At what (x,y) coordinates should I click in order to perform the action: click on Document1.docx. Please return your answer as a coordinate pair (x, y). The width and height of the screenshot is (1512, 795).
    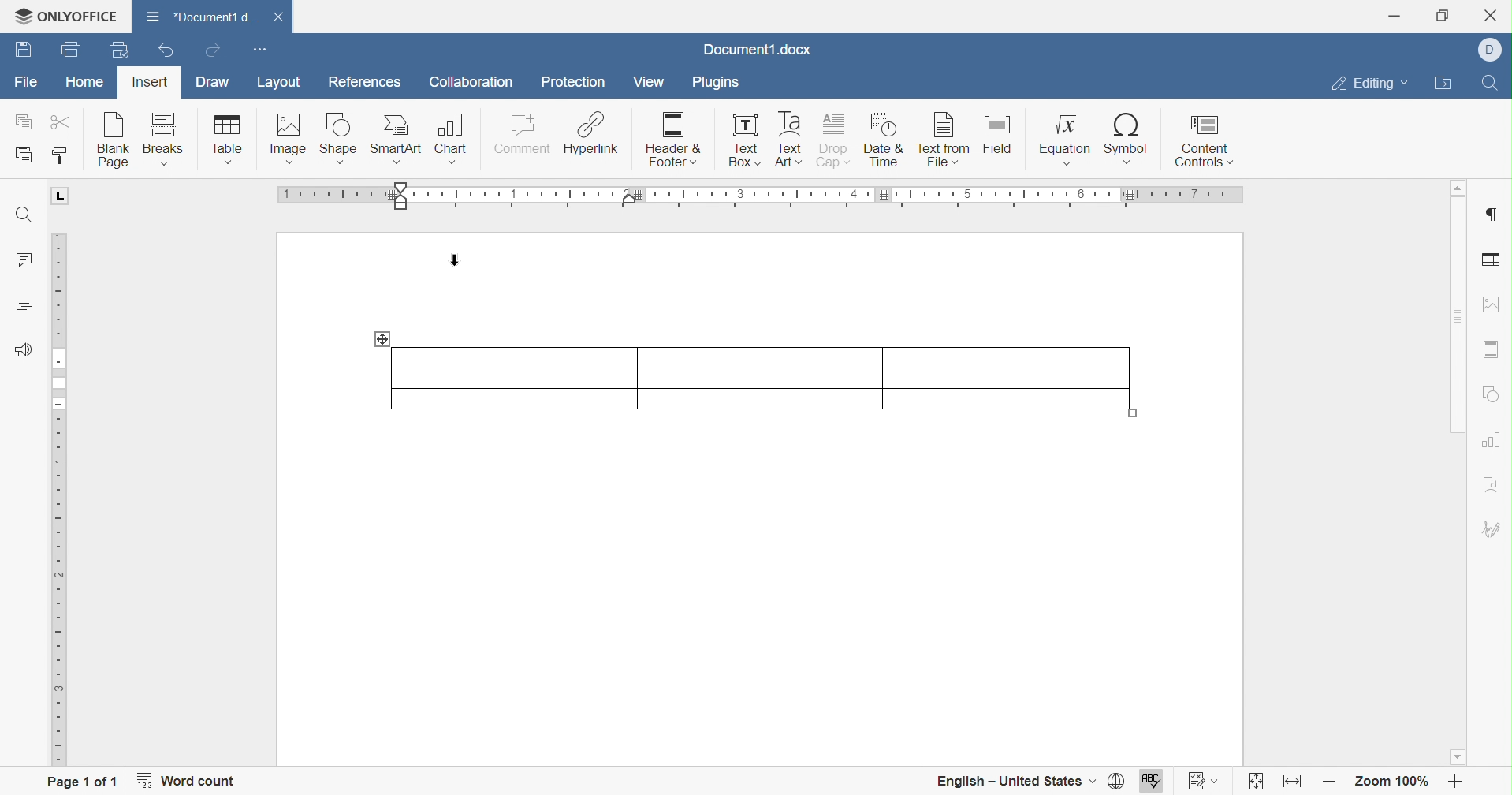
    Looking at the image, I should click on (207, 17).